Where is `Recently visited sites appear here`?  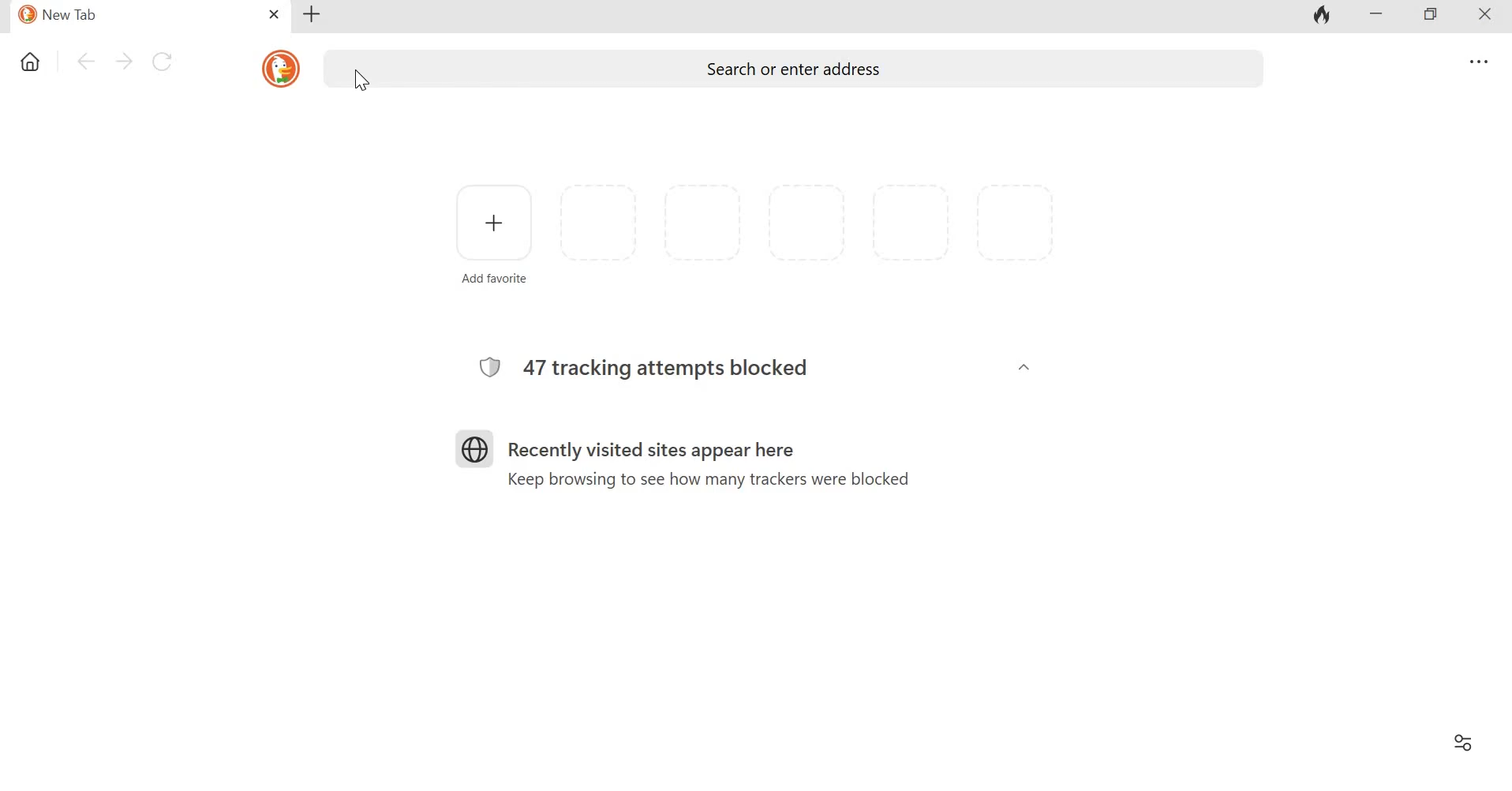
Recently visited sites appear here is located at coordinates (646, 440).